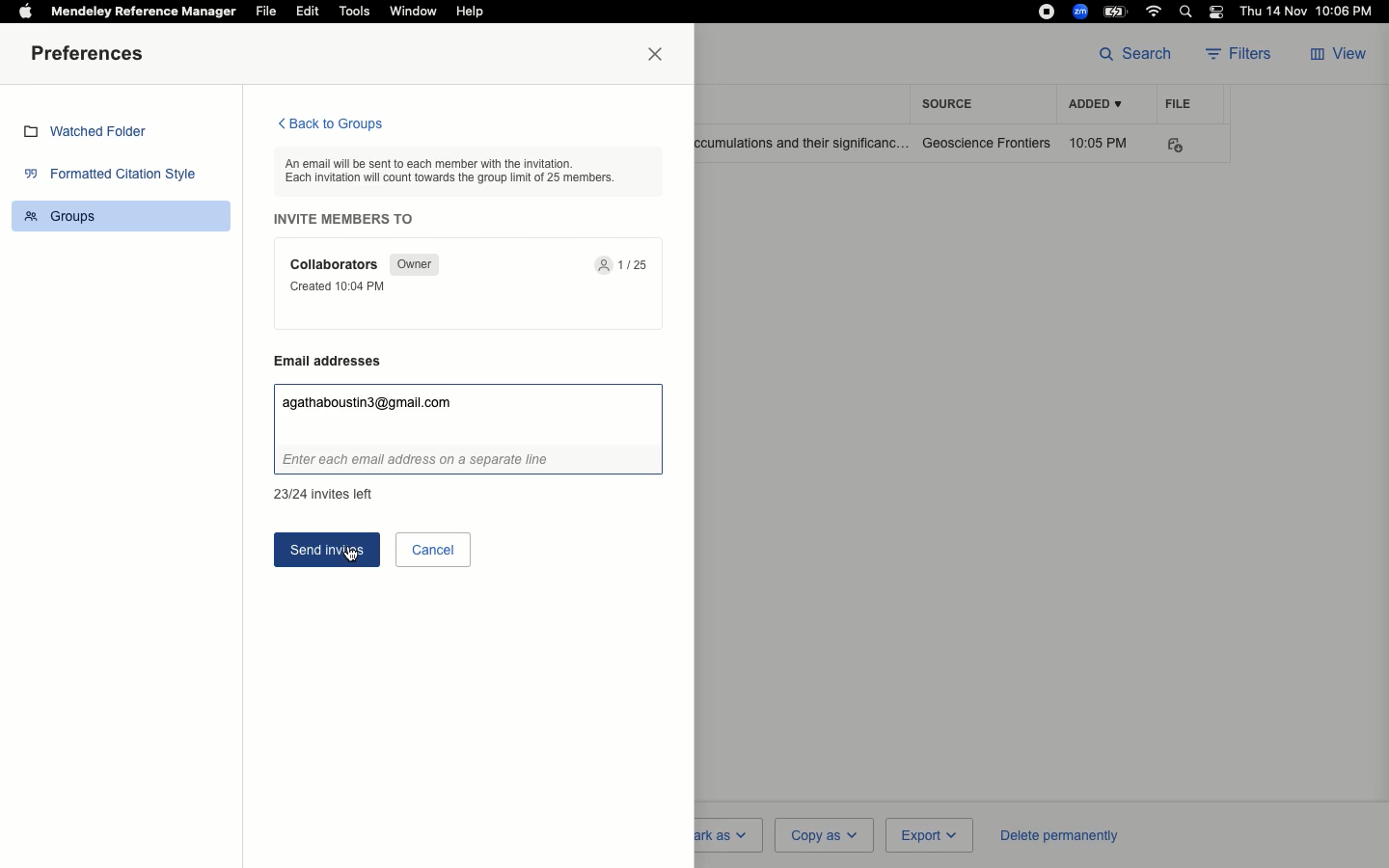 The width and height of the screenshot is (1389, 868). Describe the element at coordinates (660, 55) in the screenshot. I see `Close` at that location.